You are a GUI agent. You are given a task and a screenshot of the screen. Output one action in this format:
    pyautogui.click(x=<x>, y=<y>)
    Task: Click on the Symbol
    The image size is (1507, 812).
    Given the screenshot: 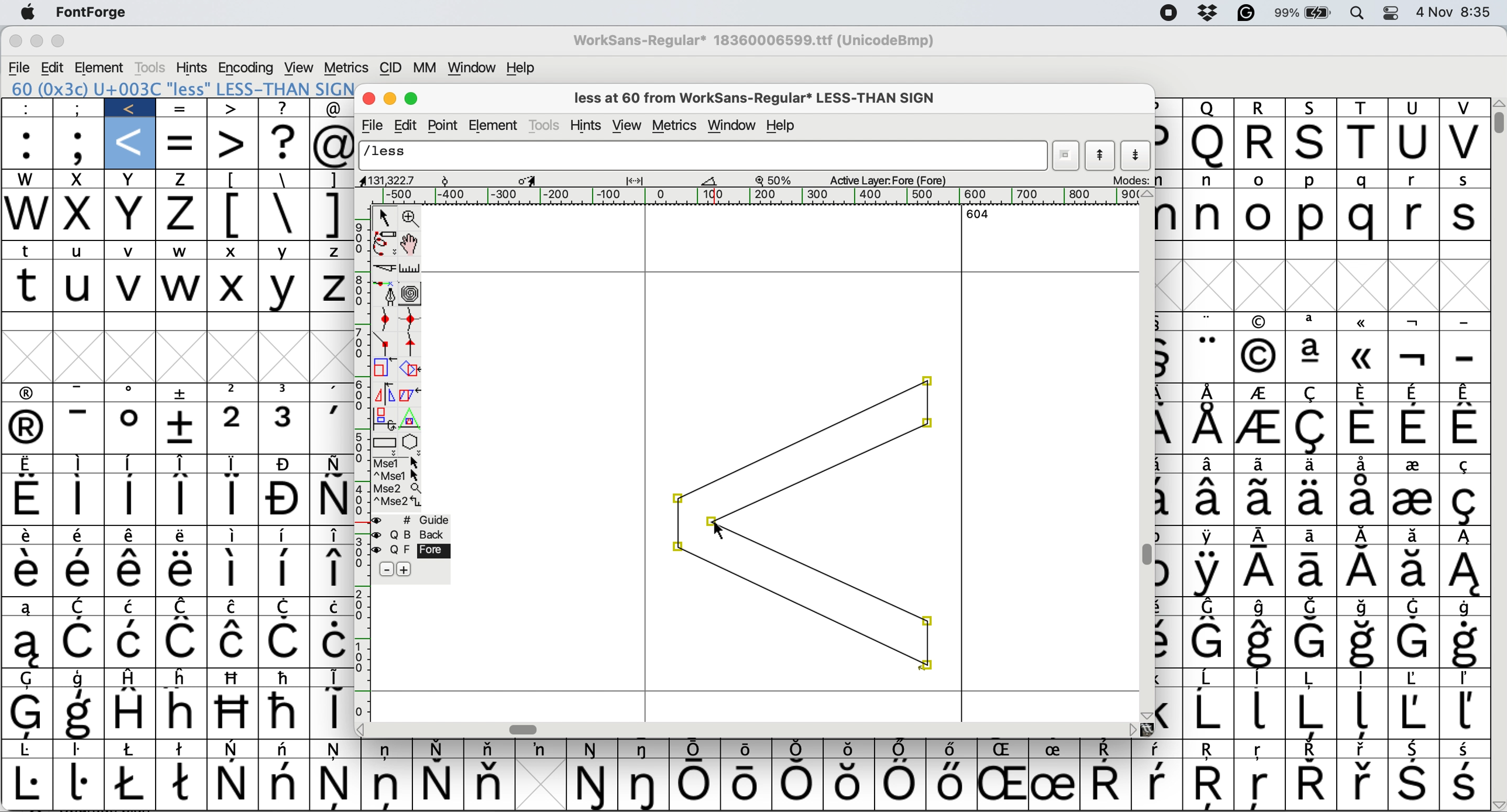 What is the action you would take?
    pyautogui.click(x=80, y=535)
    